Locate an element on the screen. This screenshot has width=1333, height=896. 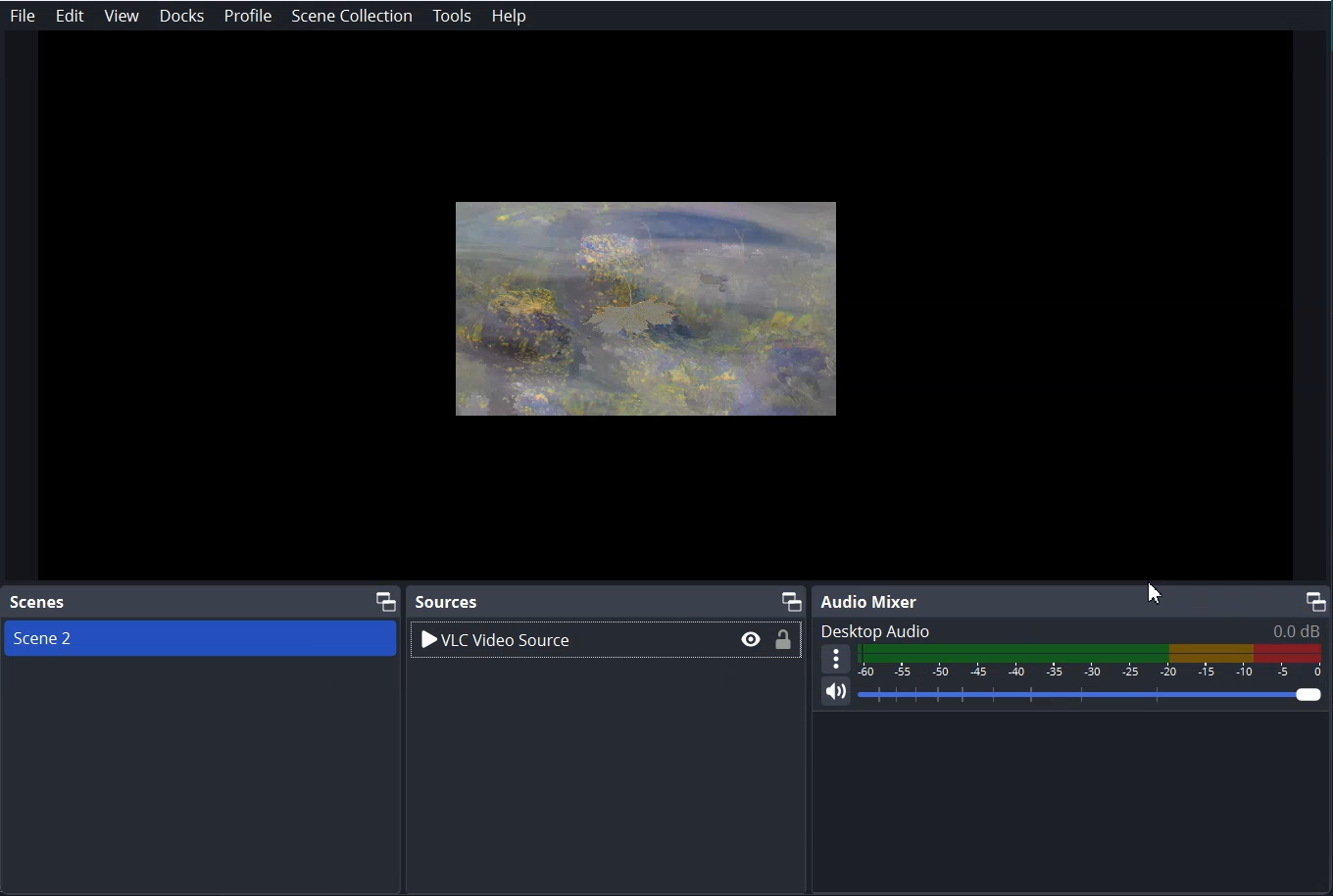
Audio mixer is located at coordinates (868, 600).